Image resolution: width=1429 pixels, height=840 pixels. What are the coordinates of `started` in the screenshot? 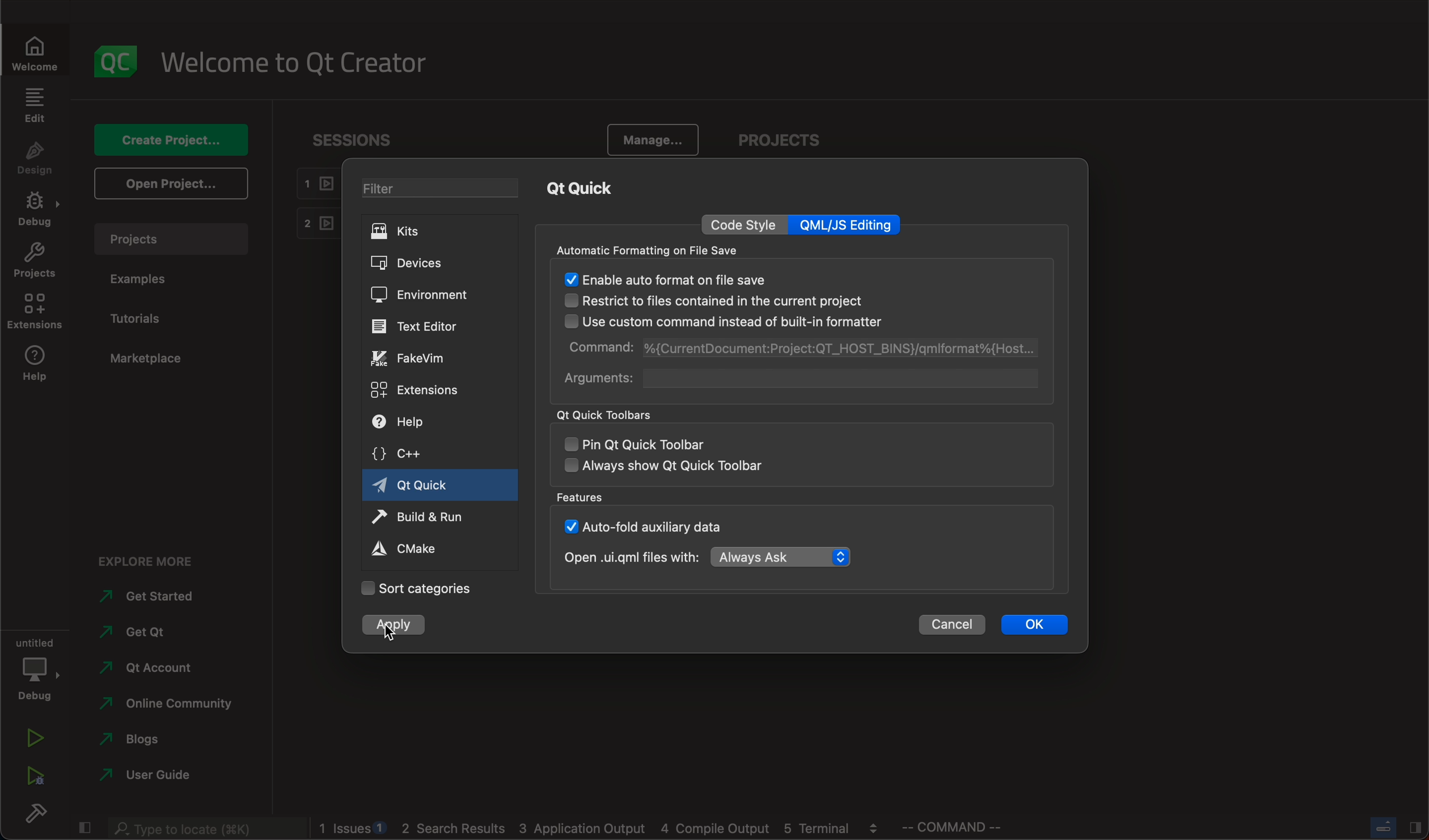 It's located at (150, 597).